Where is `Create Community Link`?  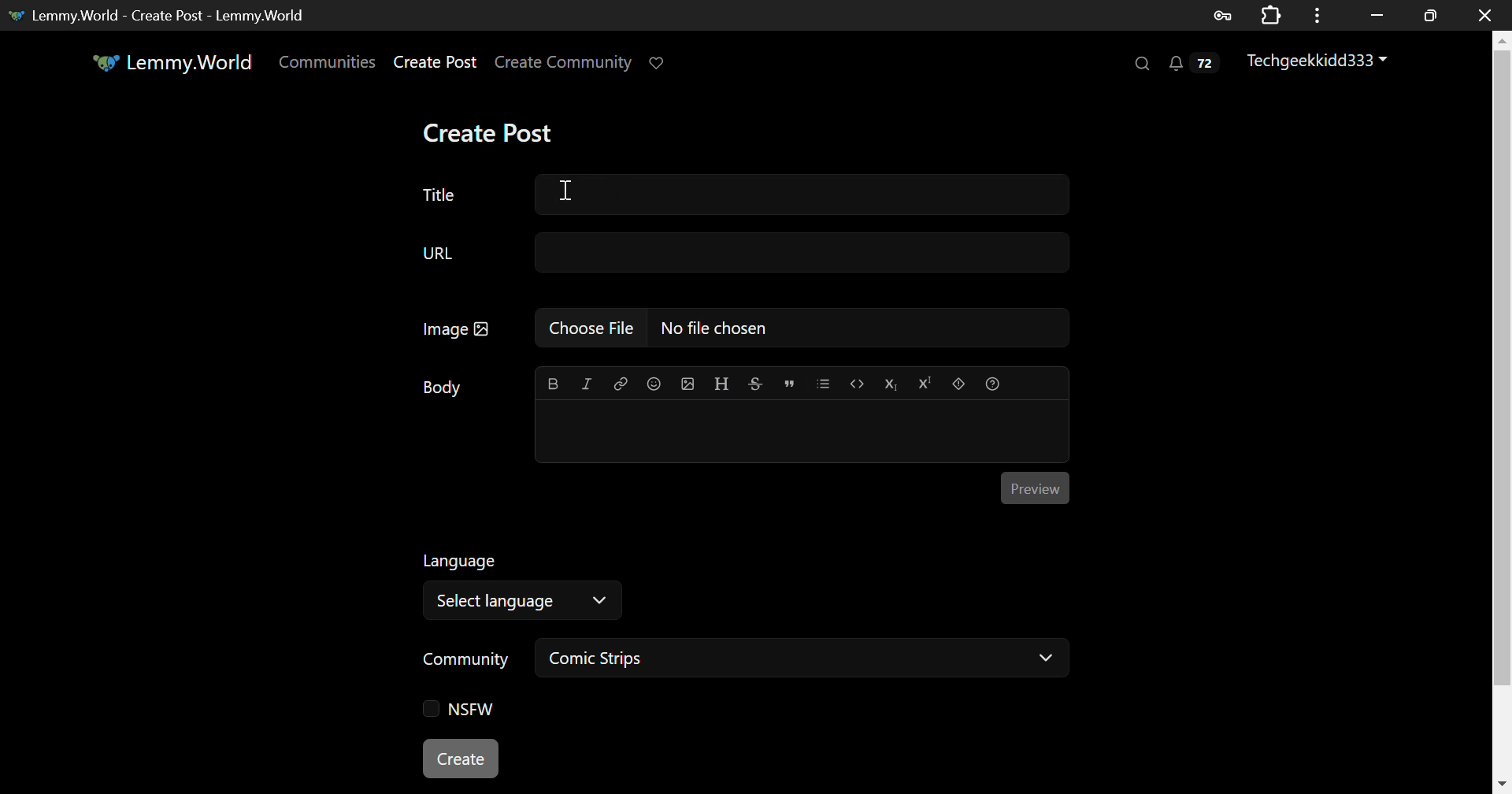
Create Community Link is located at coordinates (566, 65).